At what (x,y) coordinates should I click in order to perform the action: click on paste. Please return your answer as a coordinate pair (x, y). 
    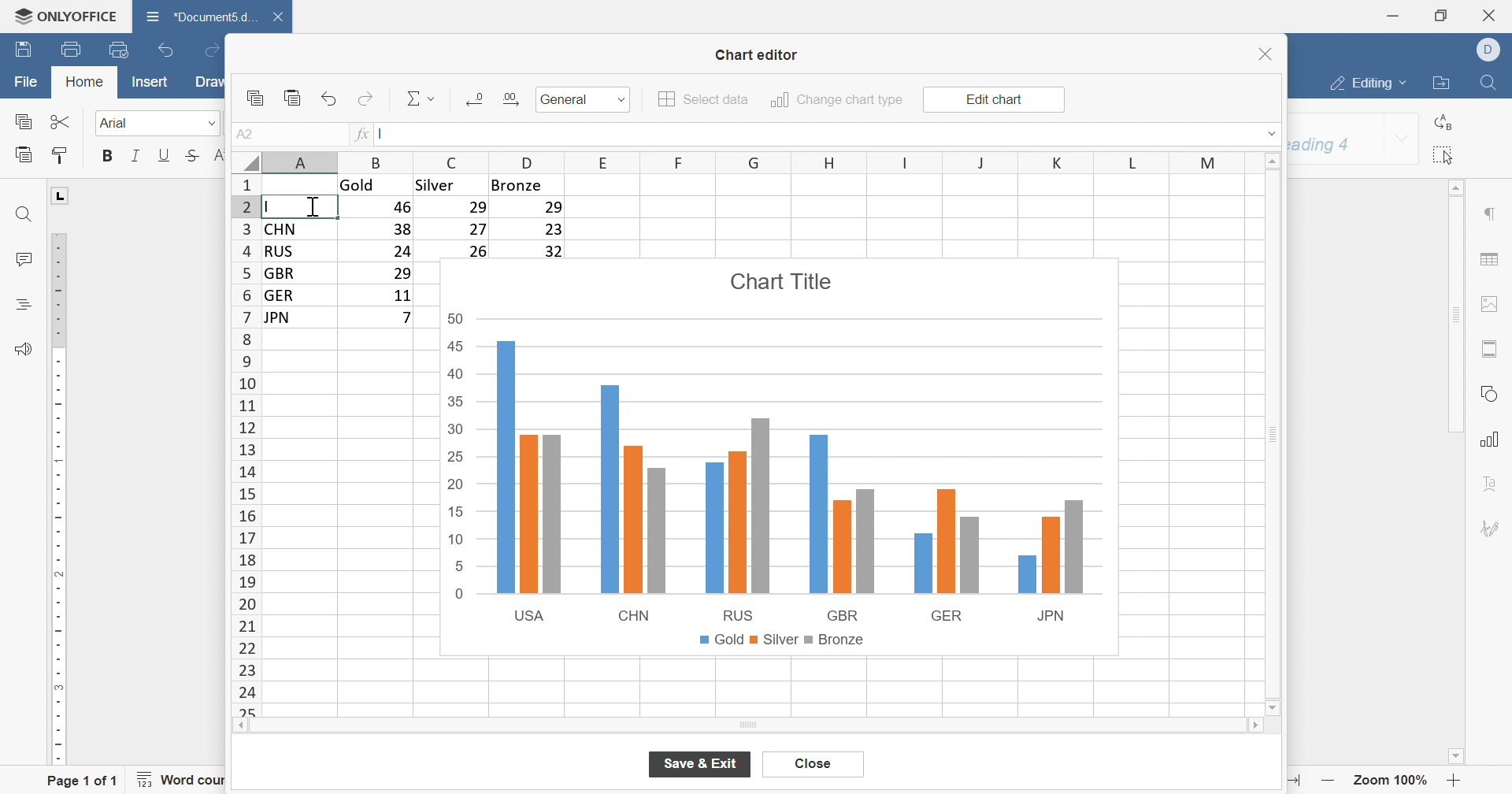
    Looking at the image, I should click on (293, 97).